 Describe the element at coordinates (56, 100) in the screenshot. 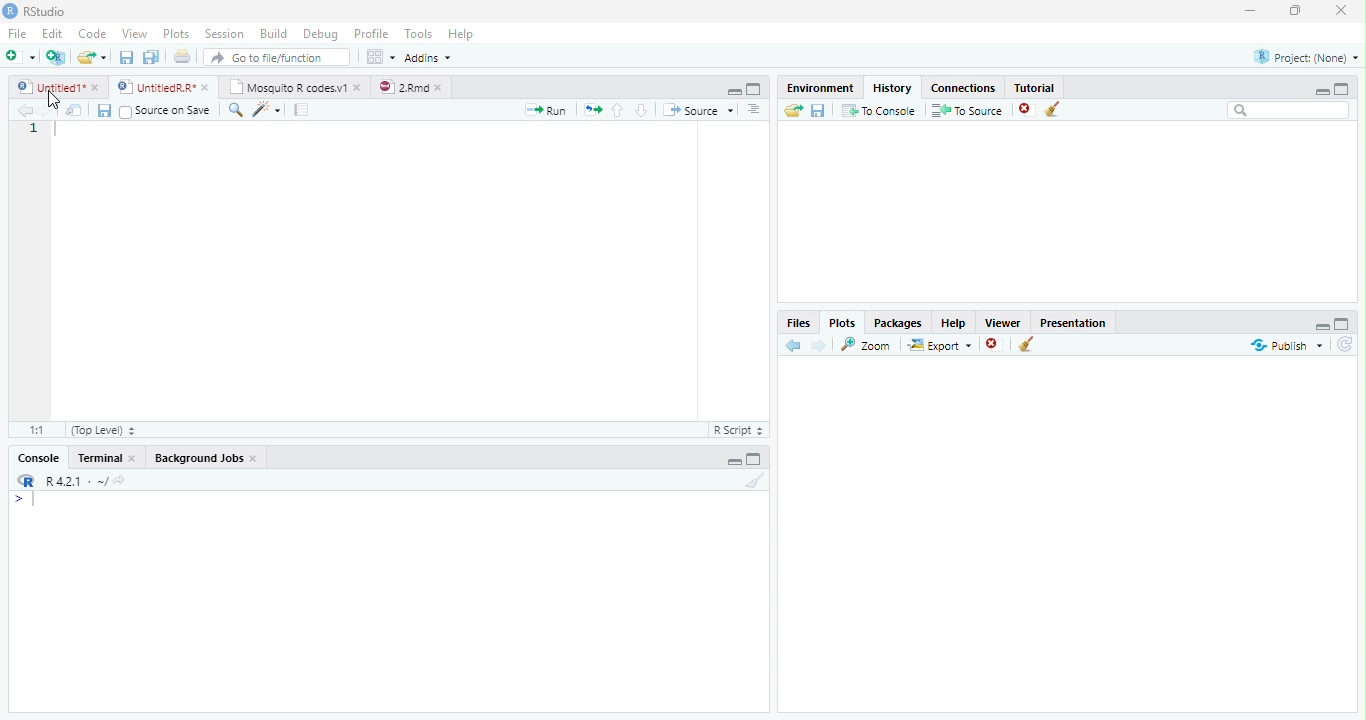

I see `Mouse Cursor` at that location.